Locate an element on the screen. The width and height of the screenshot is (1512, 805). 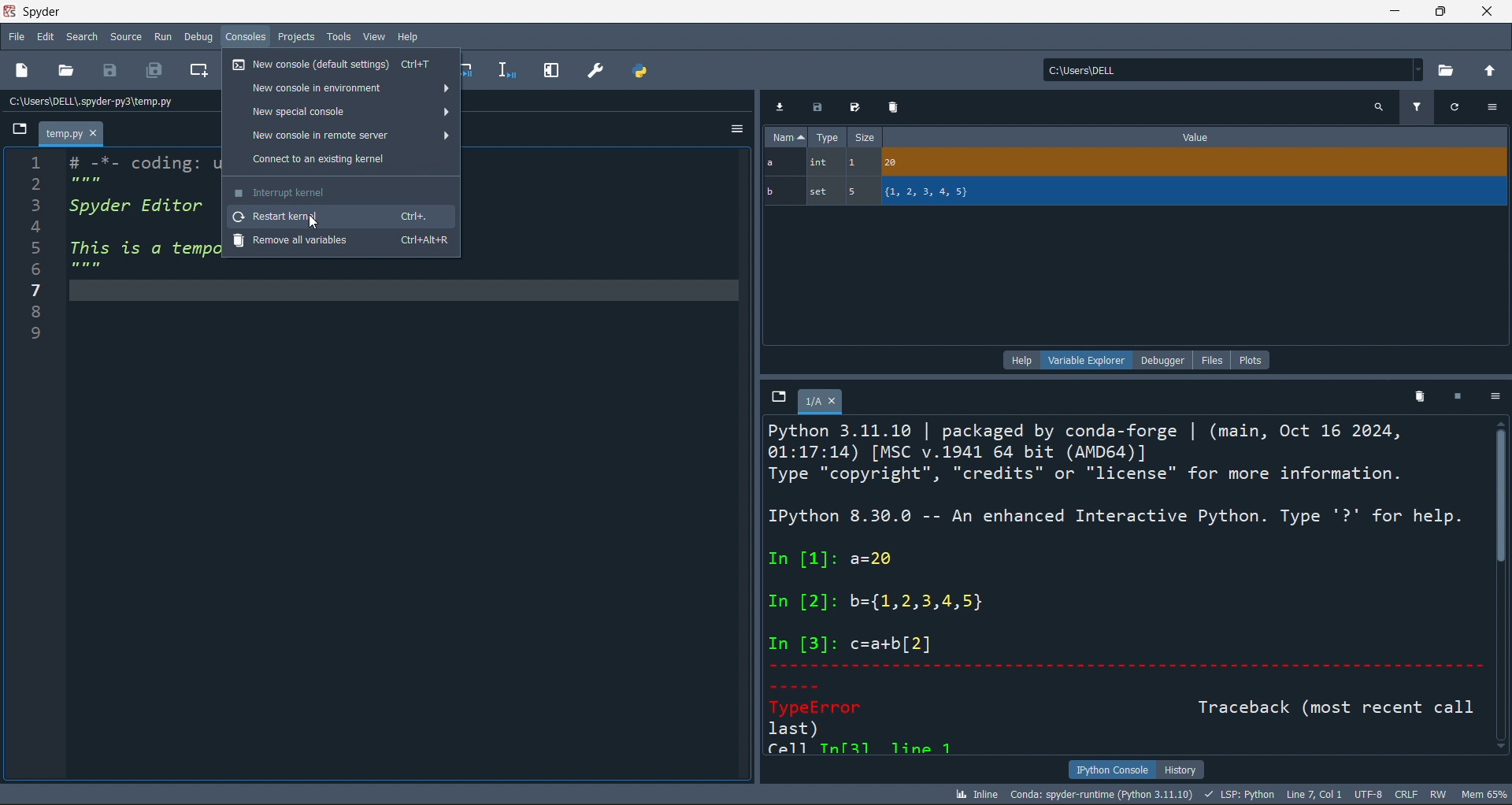
Run is located at coordinates (165, 38).